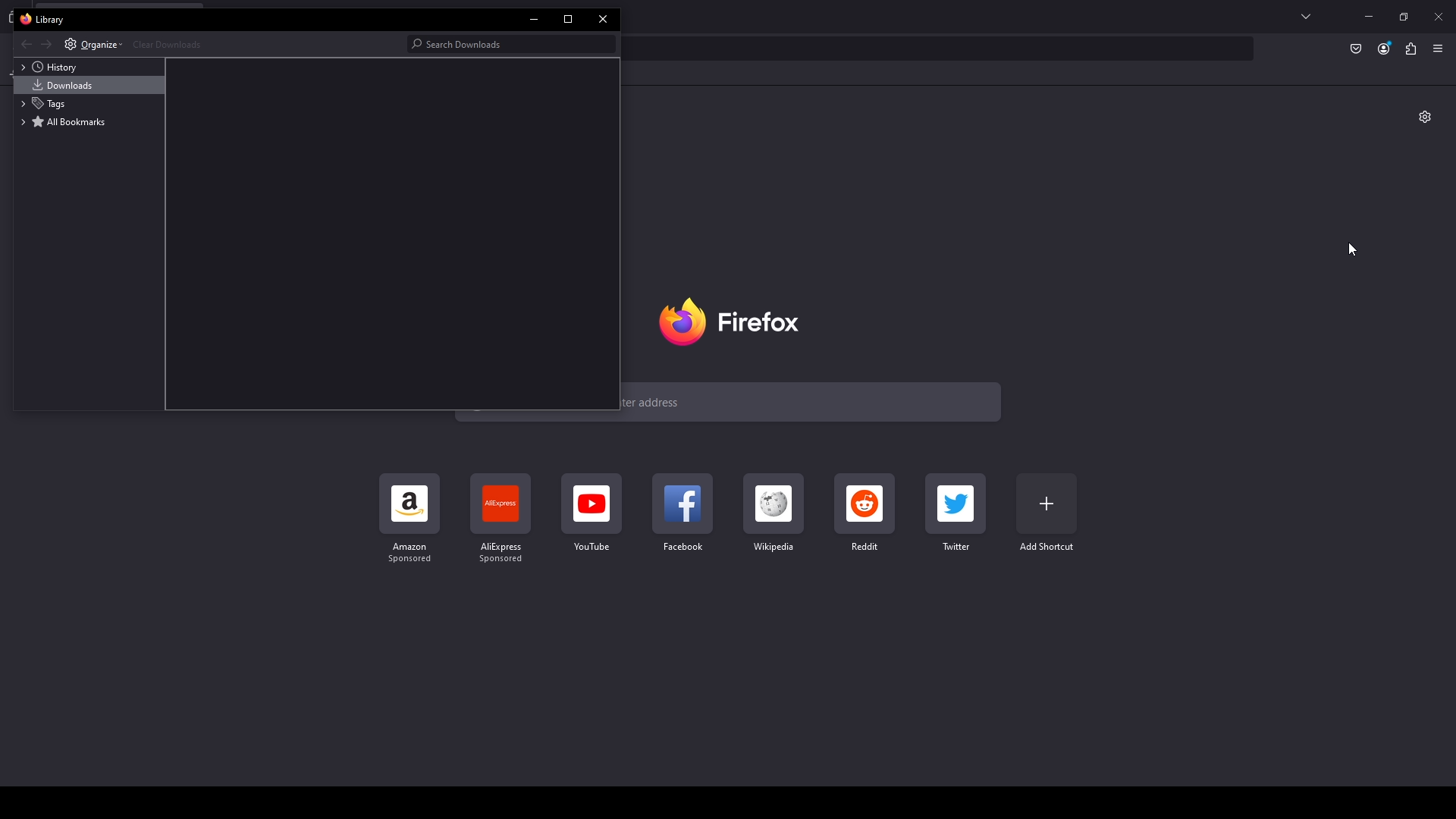 The height and width of the screenshot is (819, 1456). I want to click on Tags, so click(89, 104).